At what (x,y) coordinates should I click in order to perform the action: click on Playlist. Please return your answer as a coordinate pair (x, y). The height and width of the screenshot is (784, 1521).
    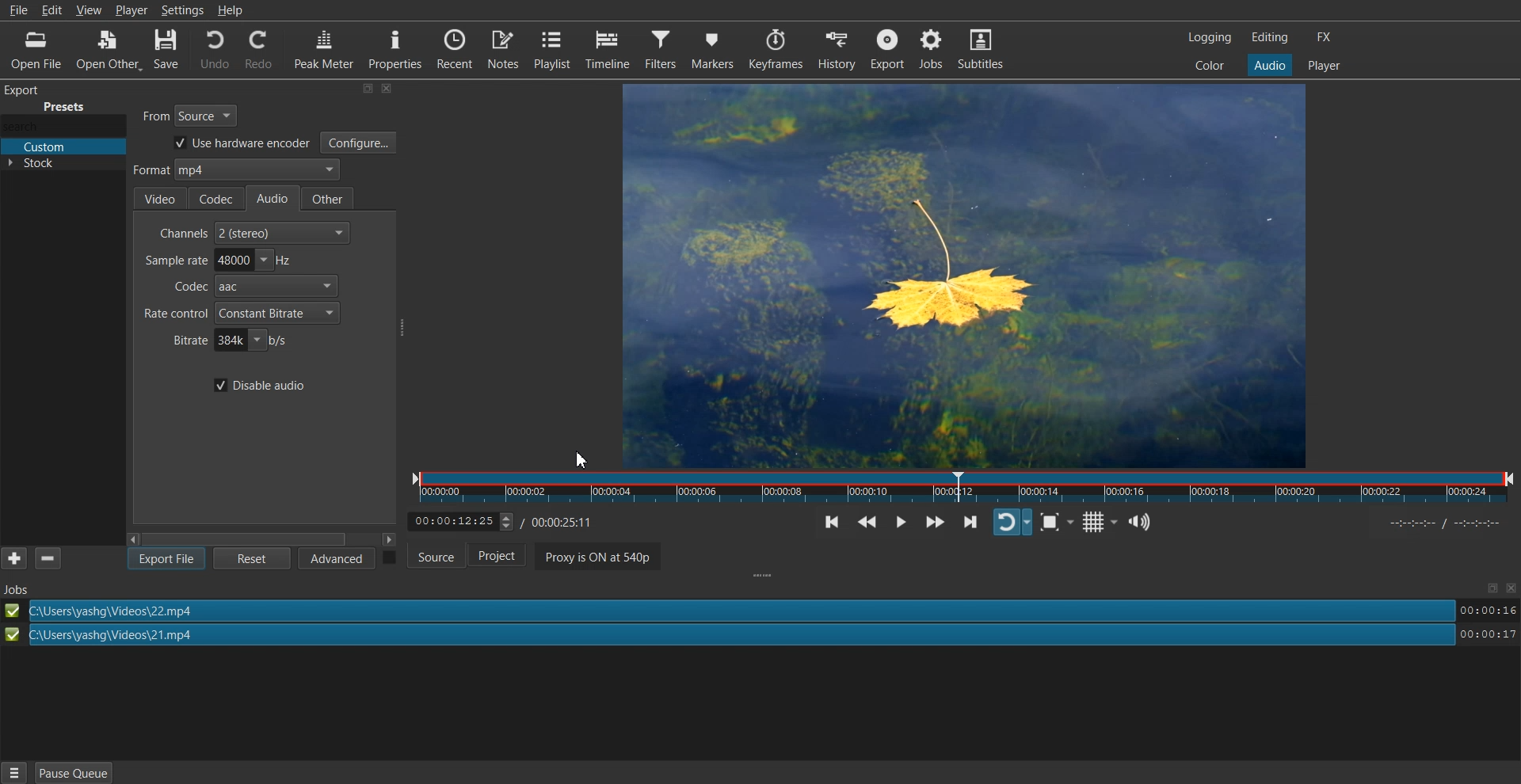
    Looking at the image, I should click on (554, 49).